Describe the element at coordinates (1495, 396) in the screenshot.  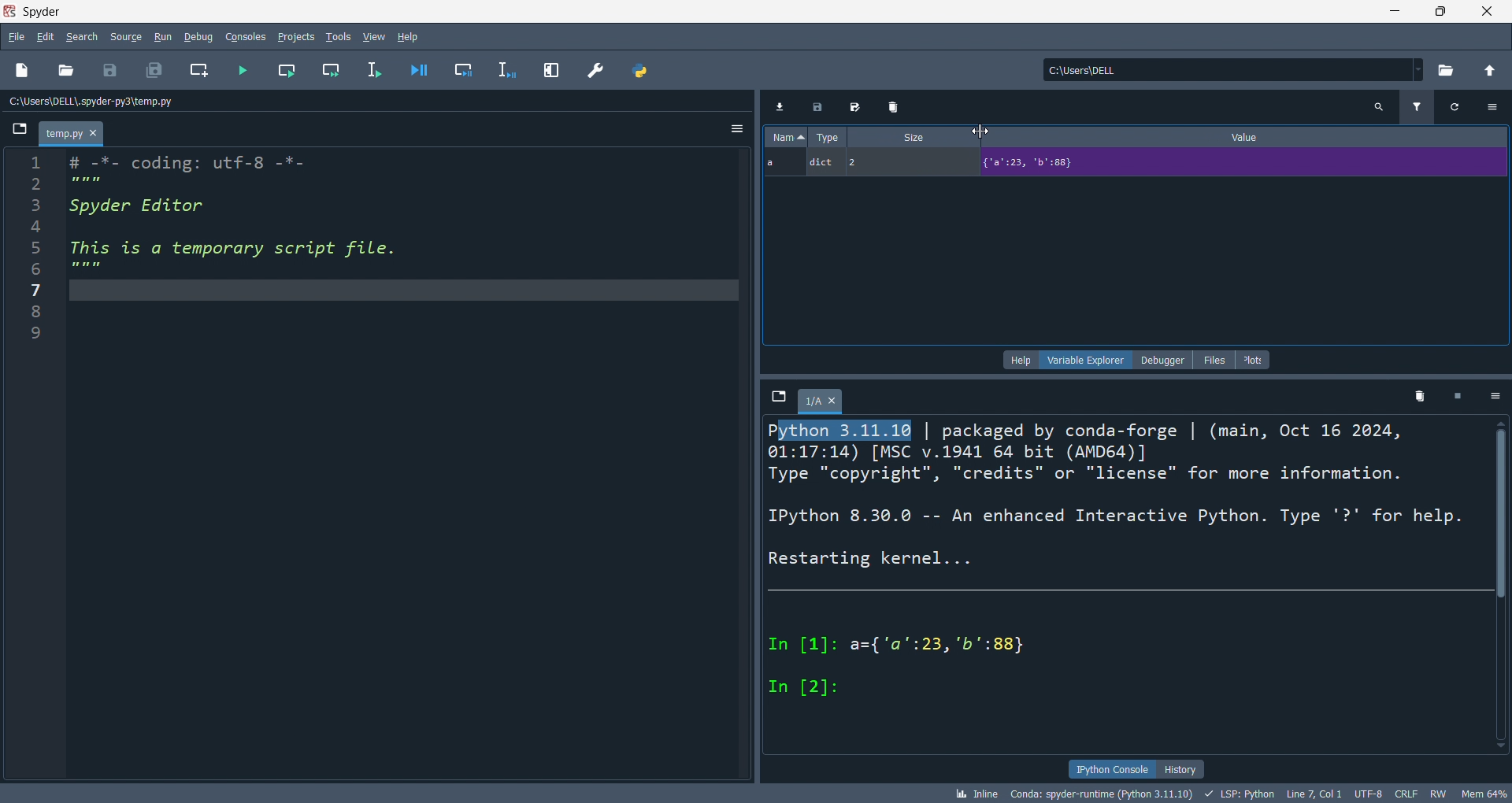
I see `options` at that location.